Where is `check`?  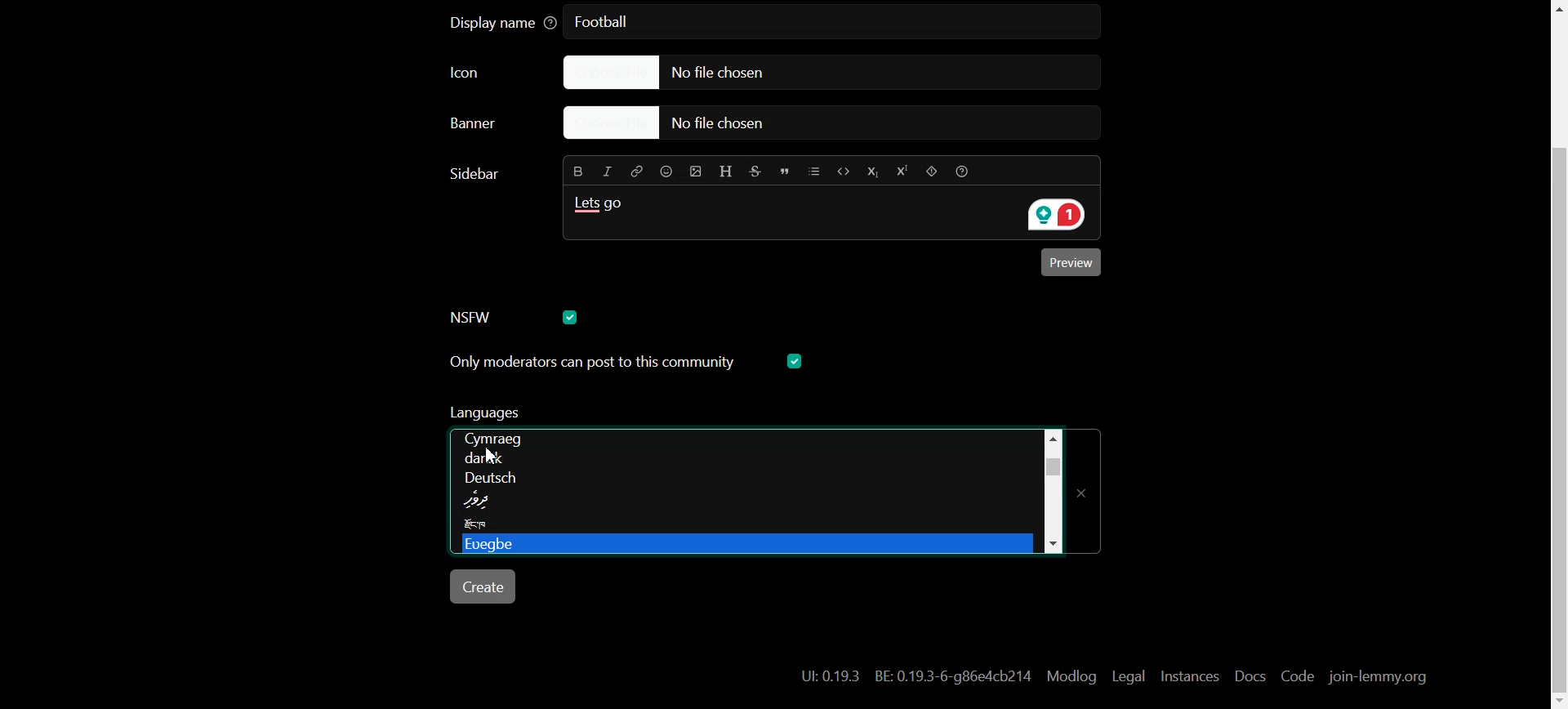 check is located at coordinates (572, 316).